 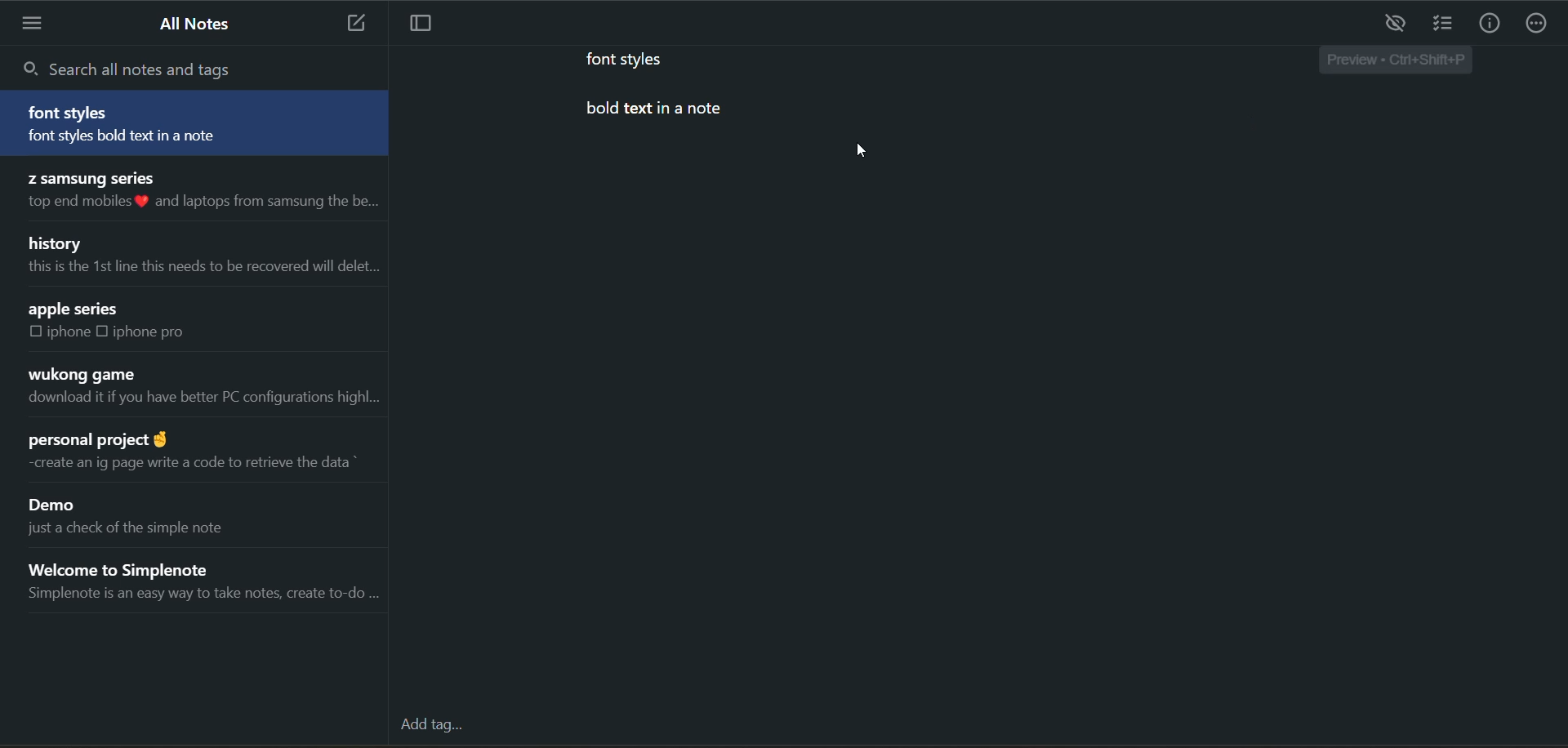 I want to click on search, so click(x=136, y=68).